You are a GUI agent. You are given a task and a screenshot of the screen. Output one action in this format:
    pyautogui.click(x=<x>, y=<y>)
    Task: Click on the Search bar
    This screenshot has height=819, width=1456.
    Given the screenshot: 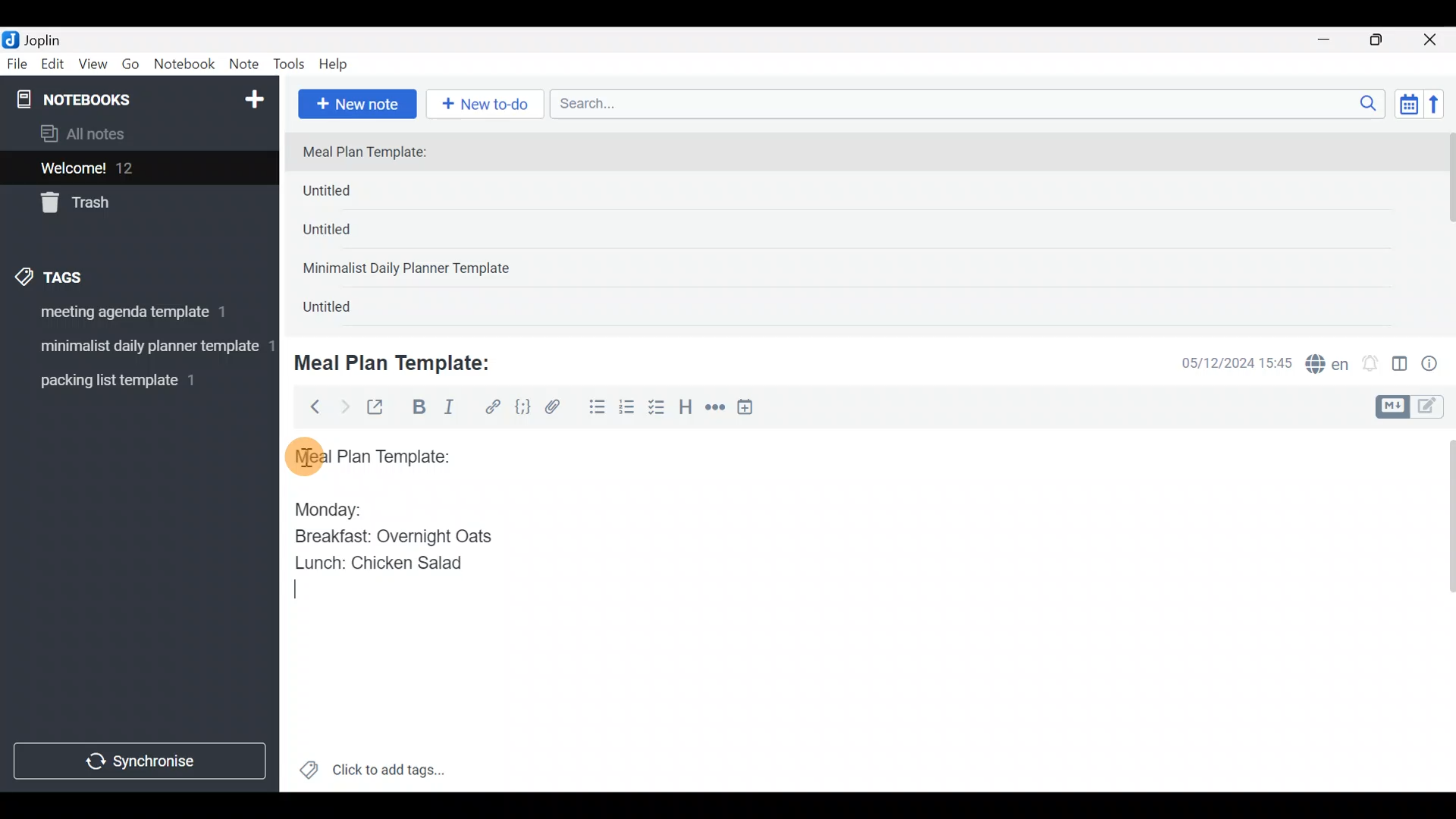 What is the action you would take?
    pyautogui.click(x=971, y=102)
    